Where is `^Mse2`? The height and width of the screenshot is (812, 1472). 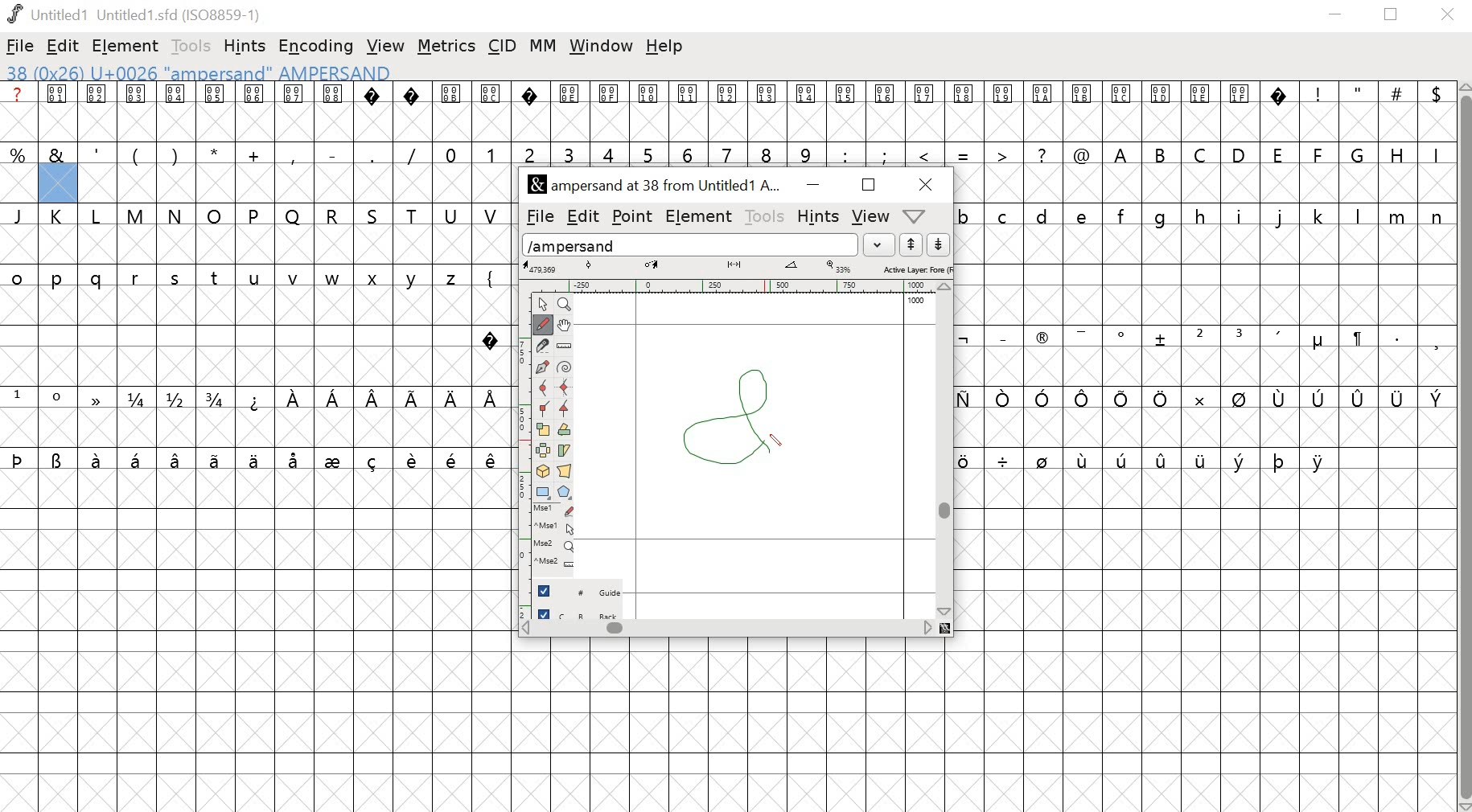
^Mse2 is located at coordinates (557, 563).